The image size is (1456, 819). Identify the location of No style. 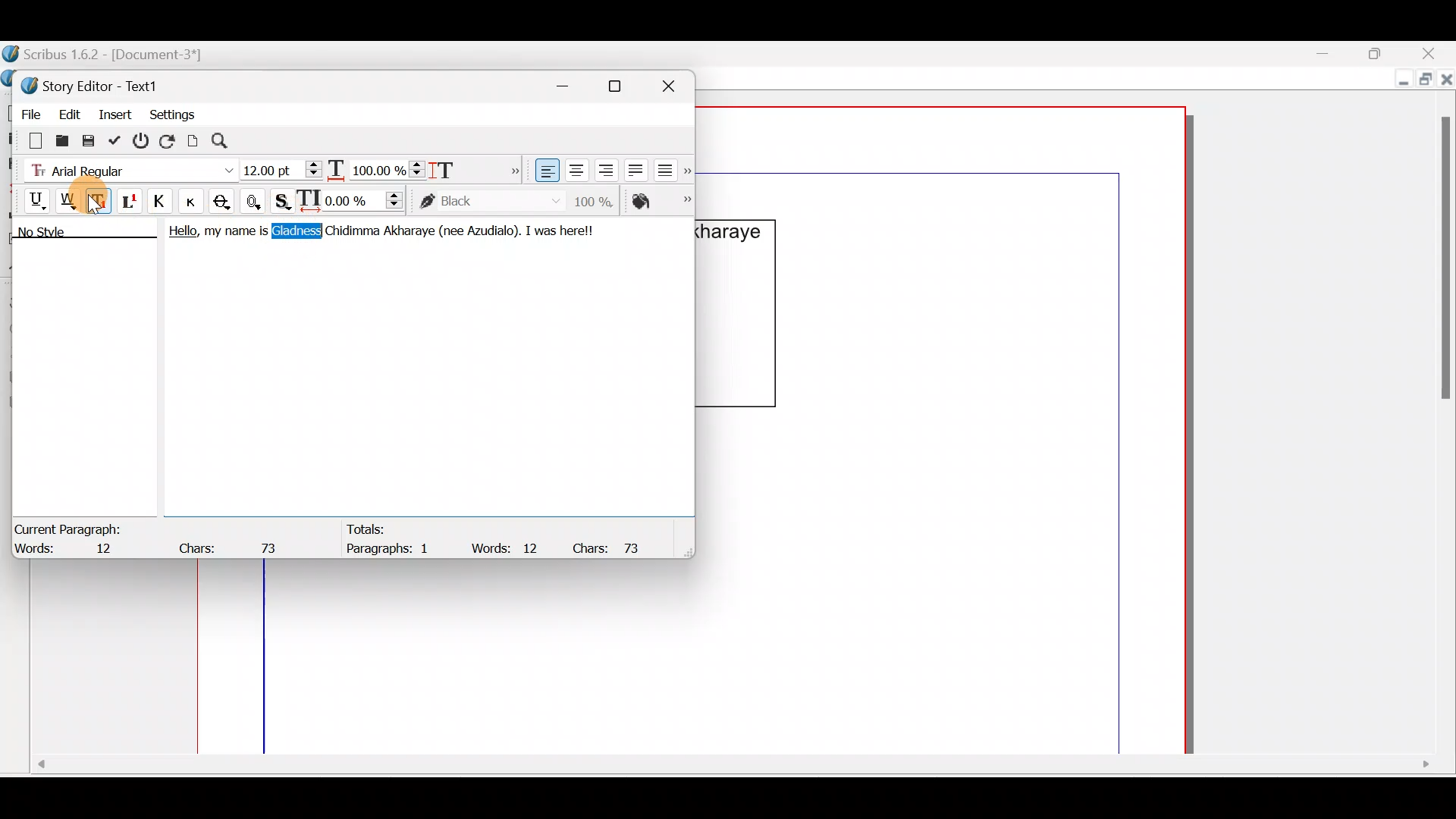
(58, 234).